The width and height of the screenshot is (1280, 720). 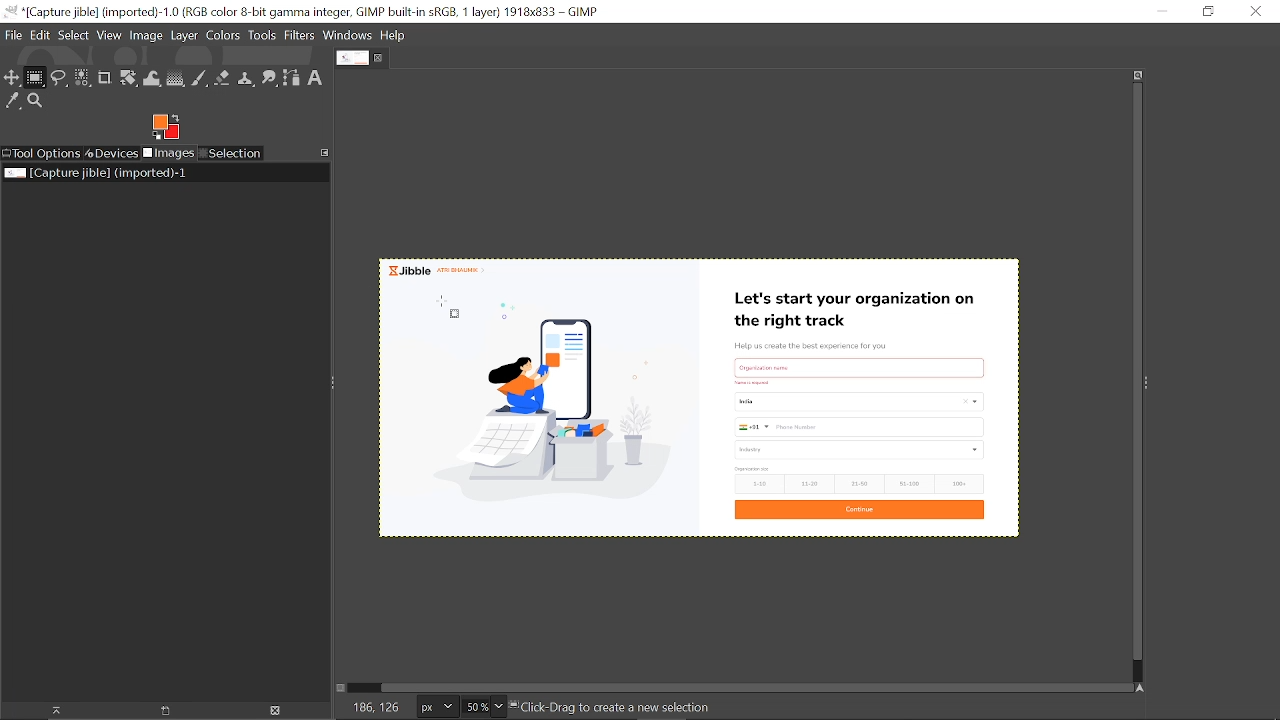 I want to click on Close , so click(x=1257, y=11).